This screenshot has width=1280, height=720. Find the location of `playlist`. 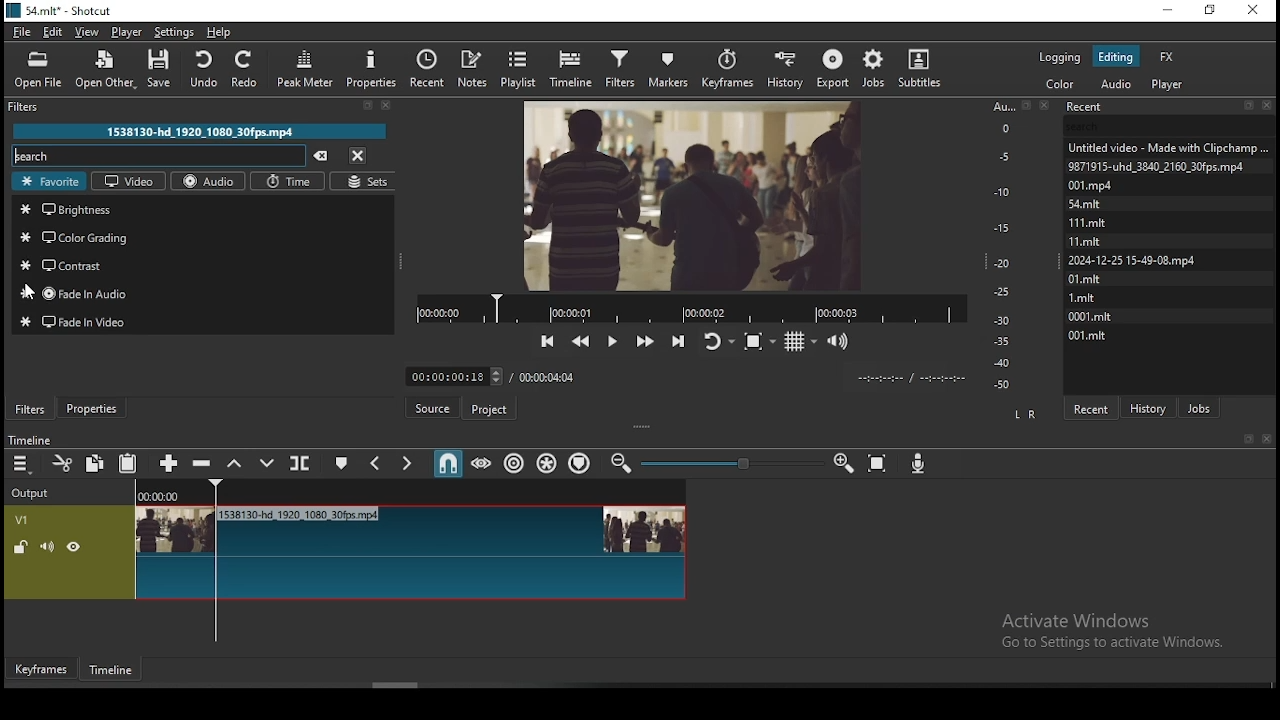

playlist is located at coordinates (520, 69).